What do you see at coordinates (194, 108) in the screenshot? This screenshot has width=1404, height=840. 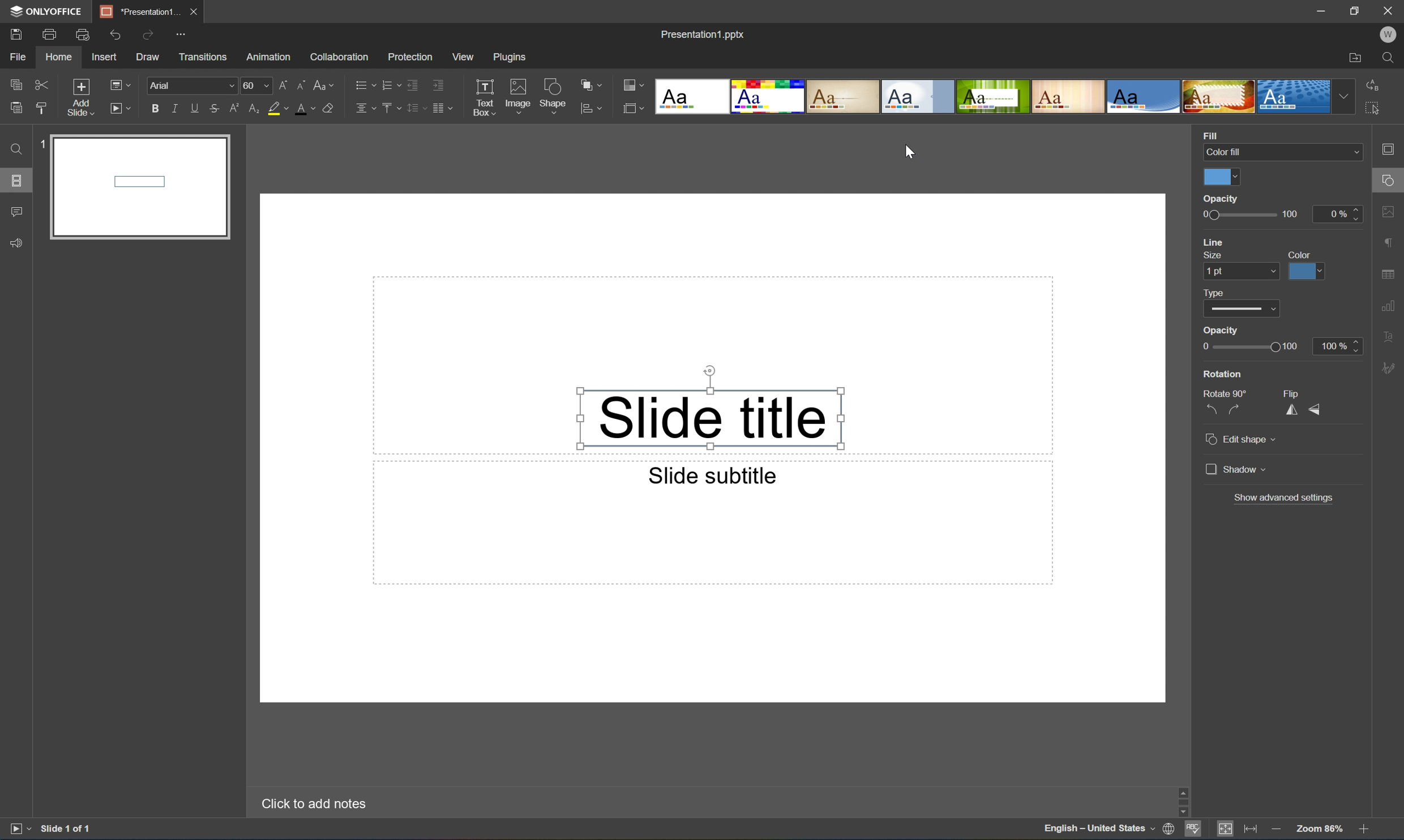 I see `Underline` at bounding box center [194, 108].